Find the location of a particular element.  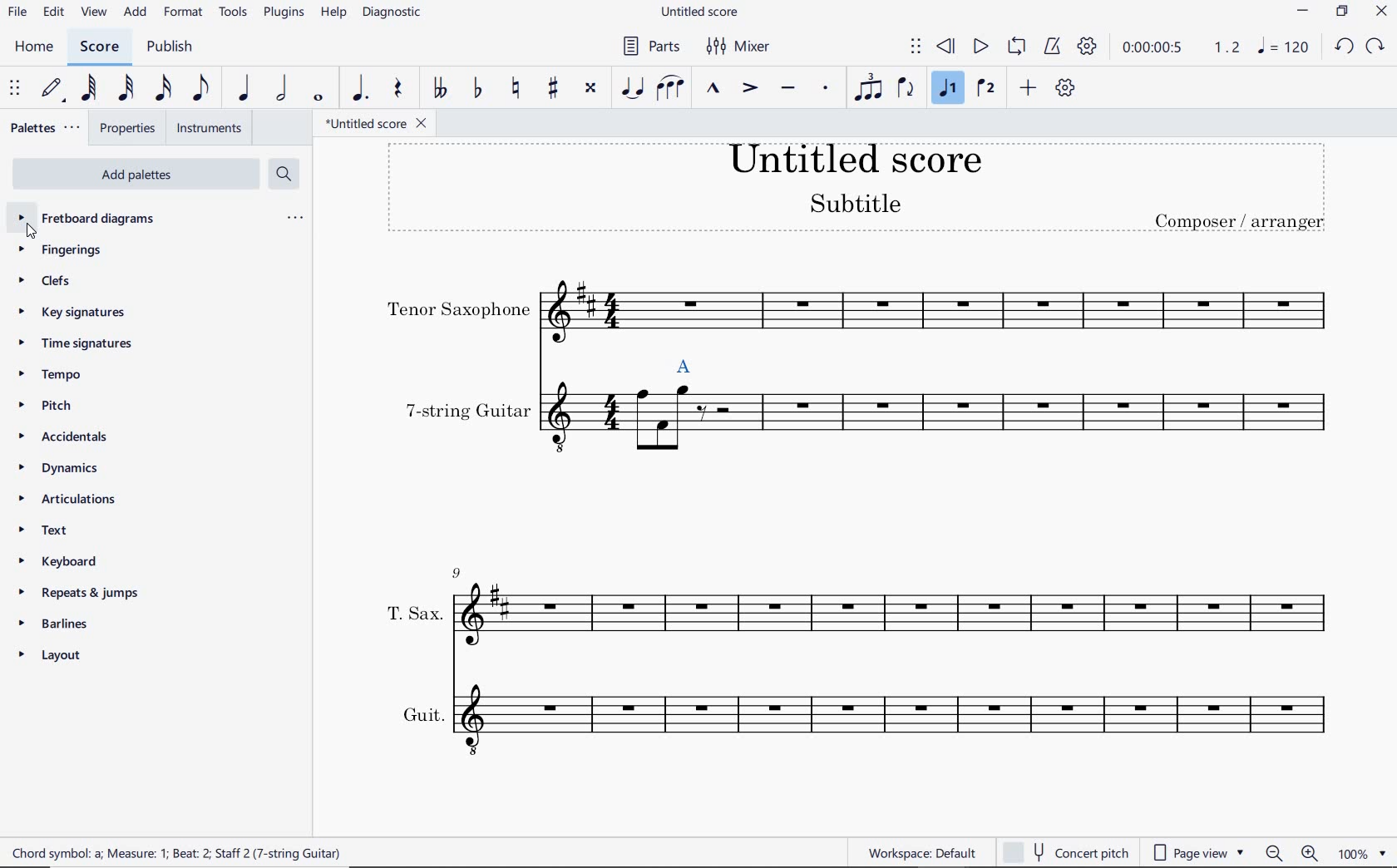

MIXER is located at coordinates (740, 47).